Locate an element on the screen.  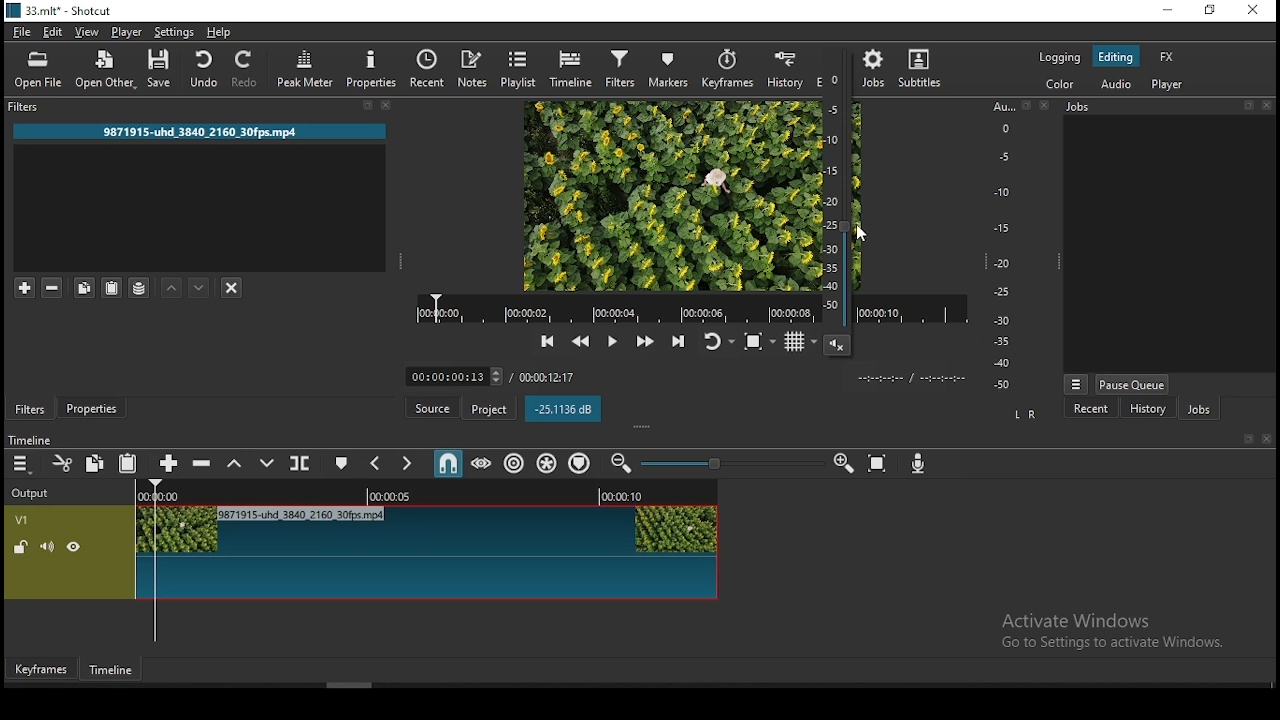
unlocked is located at coordinates (20, 547).